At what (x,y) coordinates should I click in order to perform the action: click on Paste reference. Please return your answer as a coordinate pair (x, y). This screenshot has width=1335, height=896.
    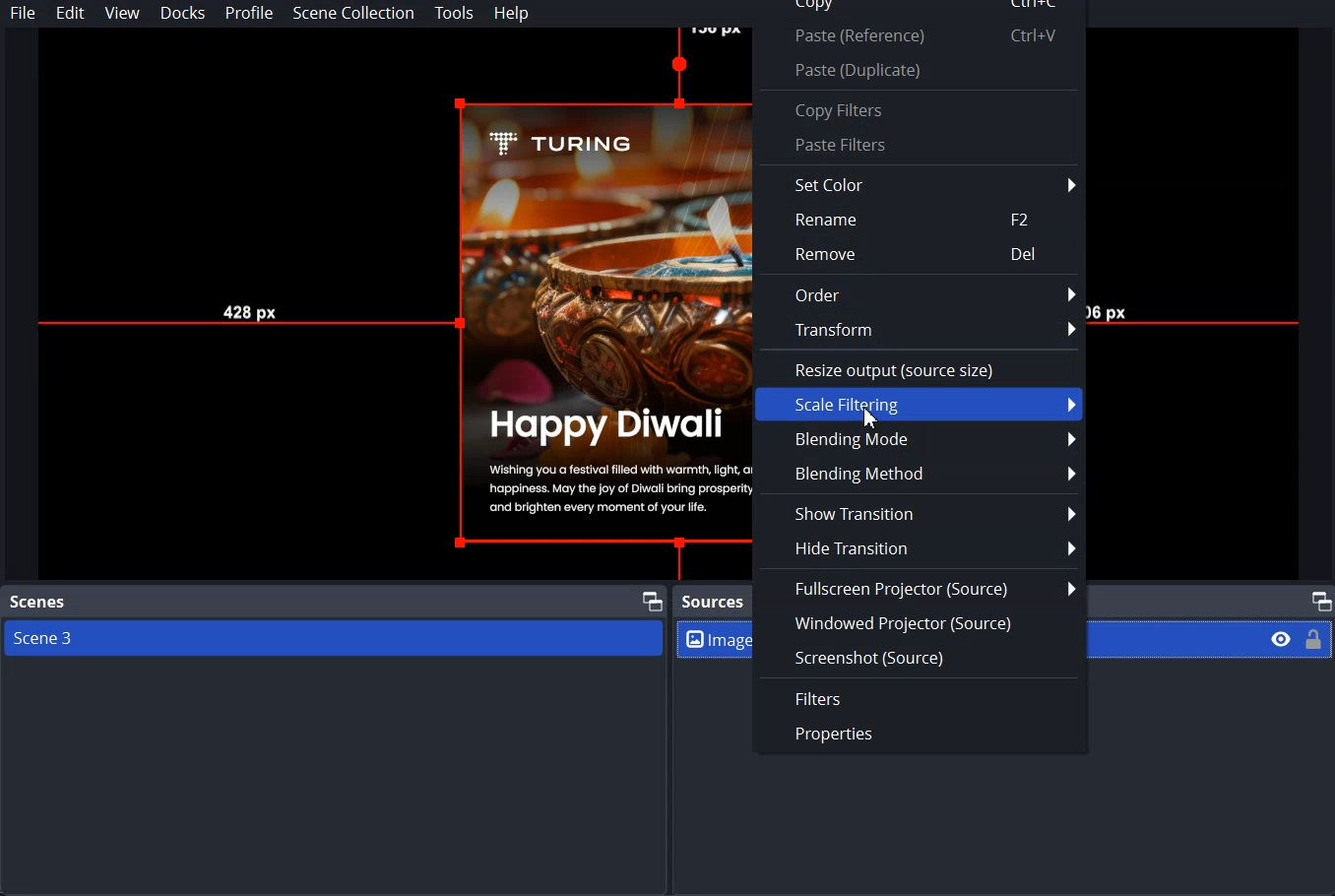
    Looking at the image, I should click on (918, 36).